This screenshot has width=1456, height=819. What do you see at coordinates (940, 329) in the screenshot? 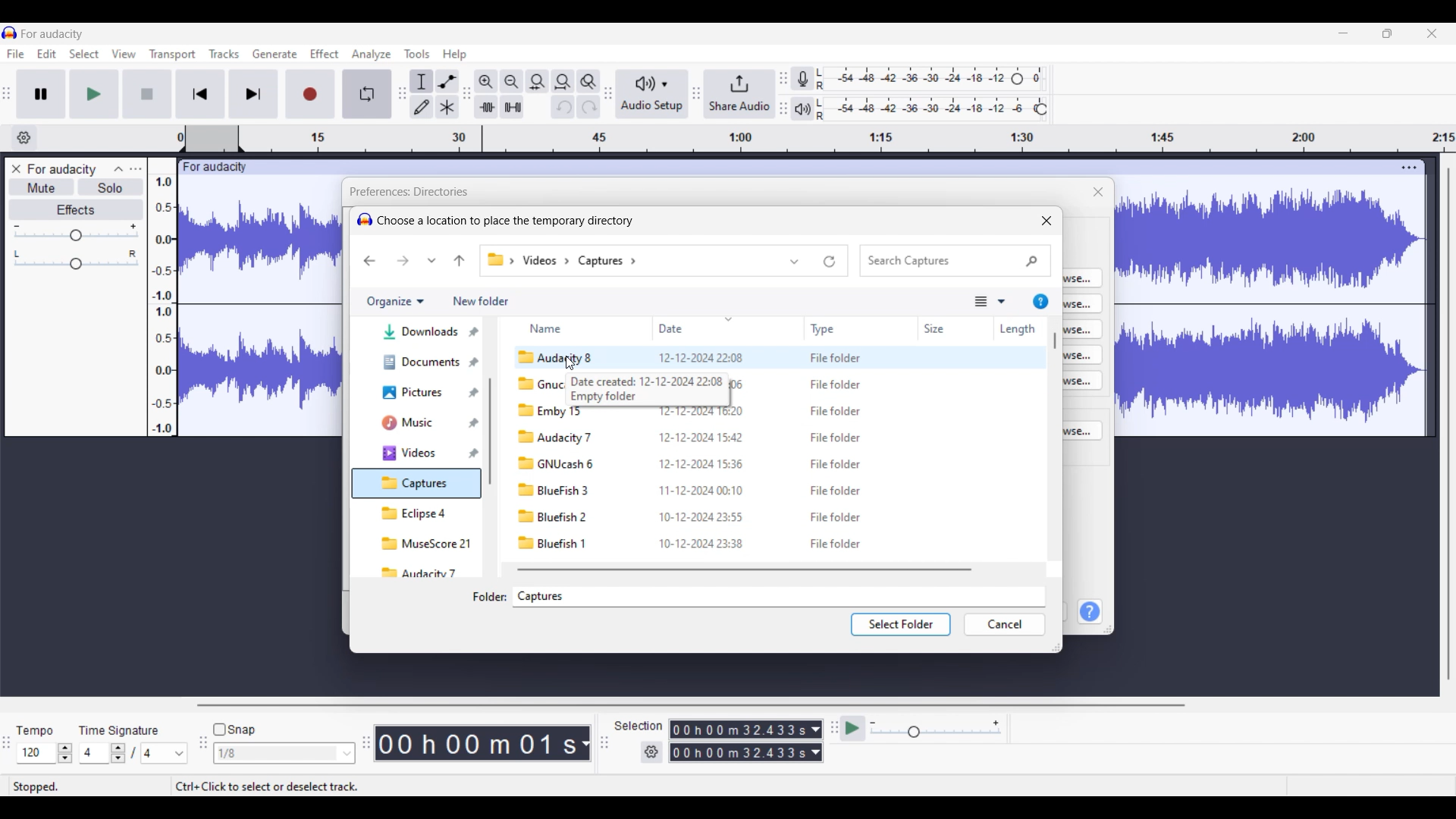
I see `Size column` at bounding box center [940, 329].